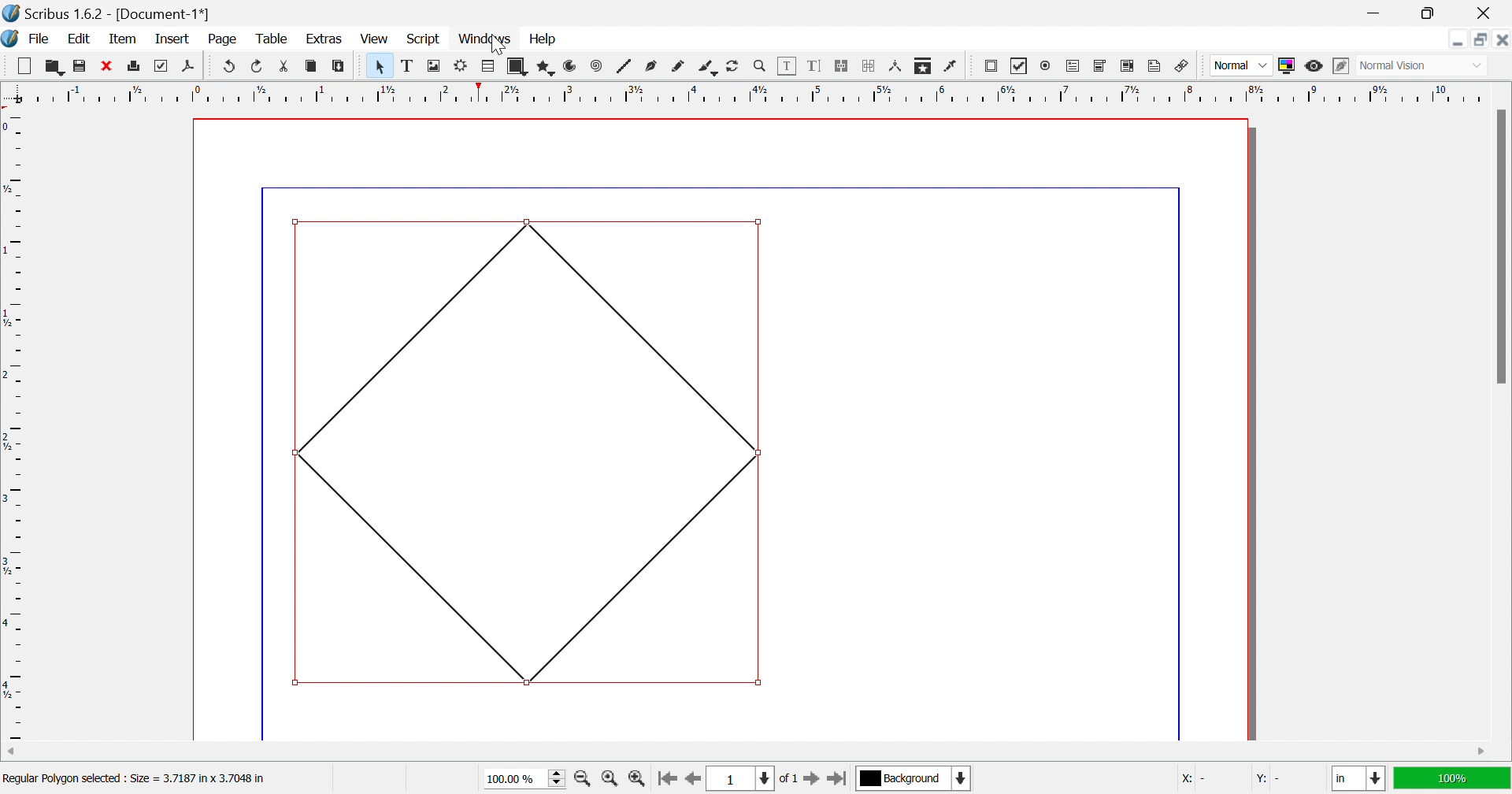 The height and width of the screenshot is (794, 1512). Describe the element at coordinates (993, 65) in the screenshot. I see `PDF push button` at that location.